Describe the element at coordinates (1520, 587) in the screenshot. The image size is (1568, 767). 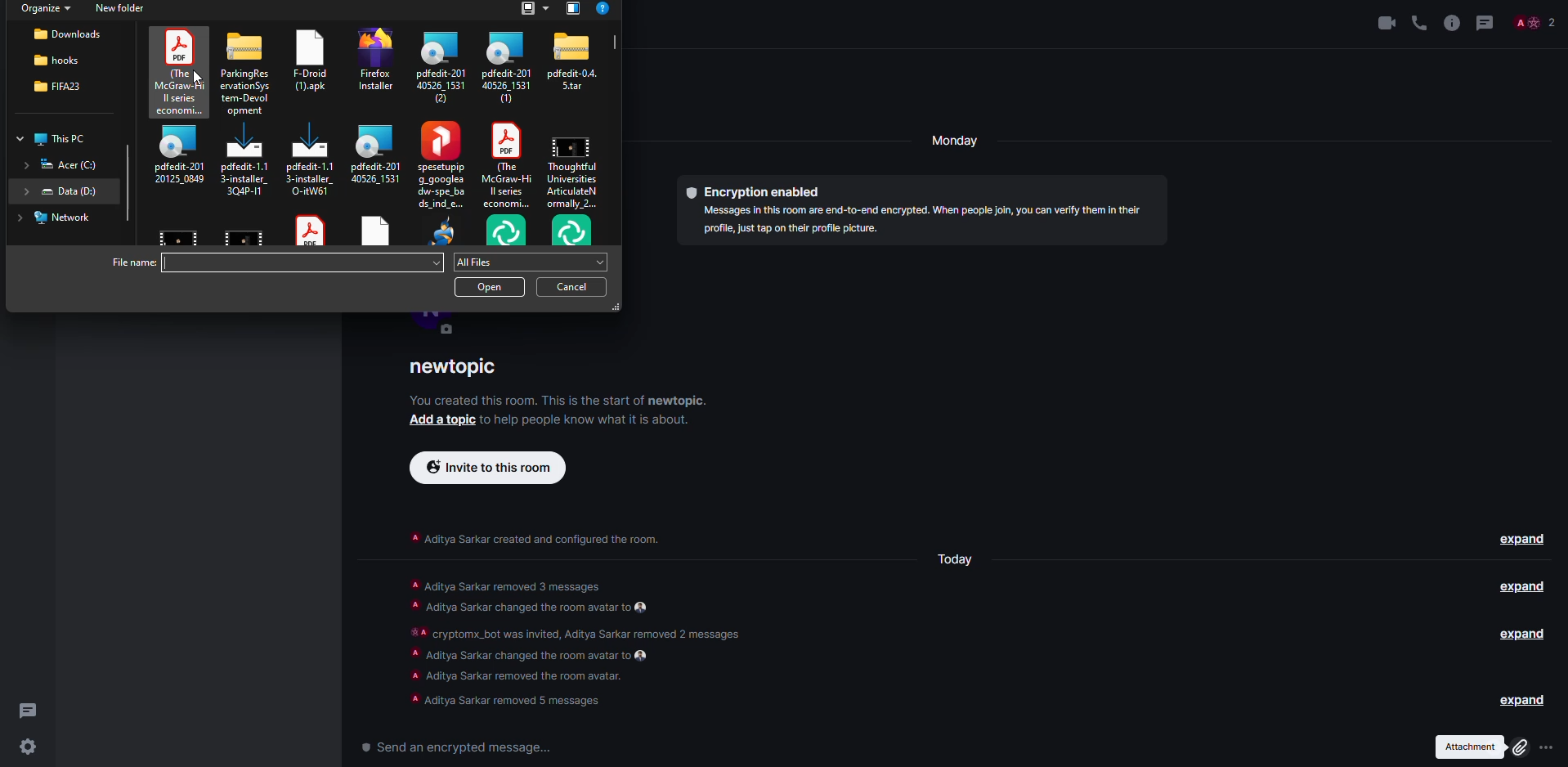
I see `expand` at that location.